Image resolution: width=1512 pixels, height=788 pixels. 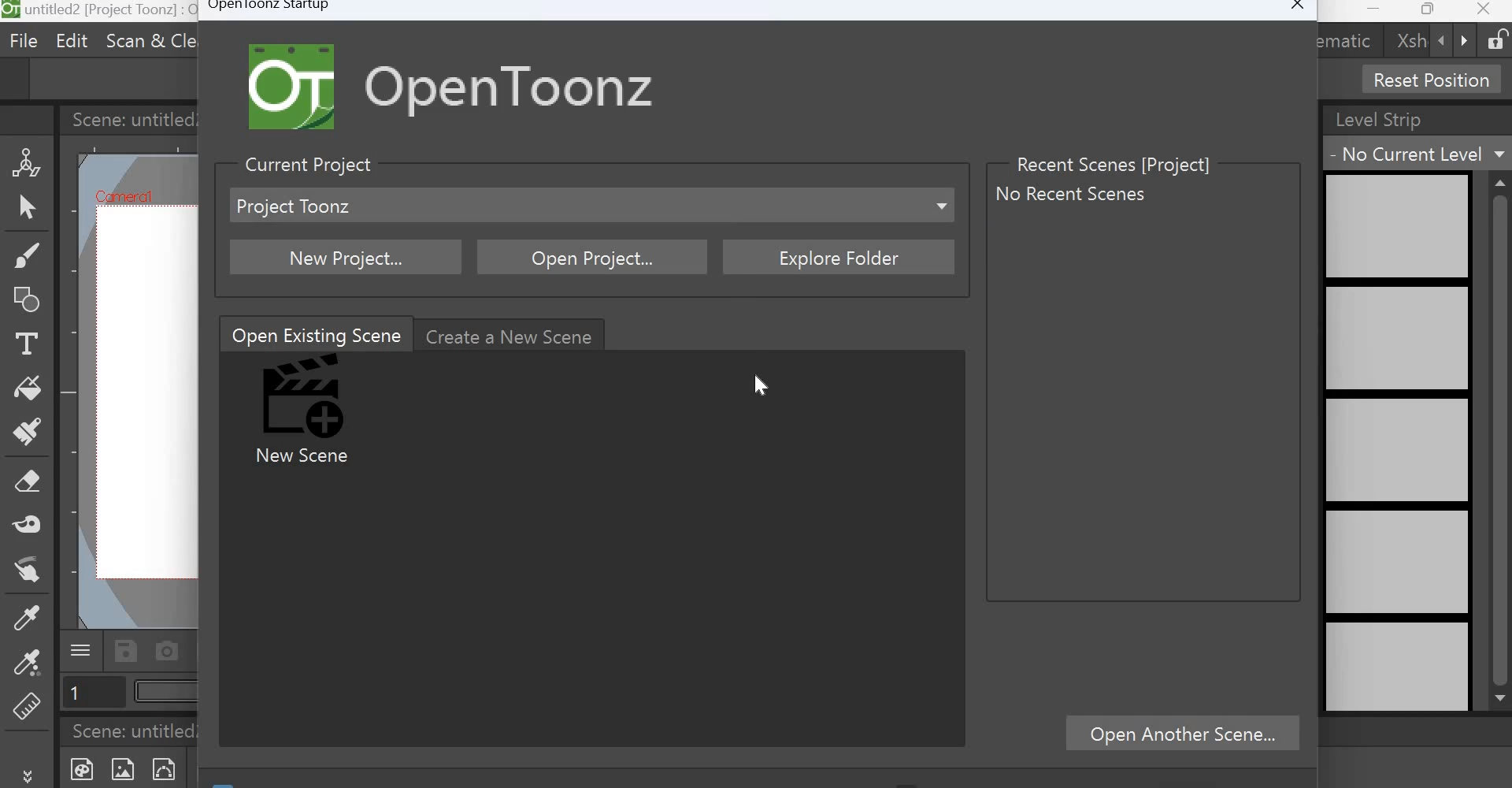 I want to click on Cursor, so click(x=413, y=269).